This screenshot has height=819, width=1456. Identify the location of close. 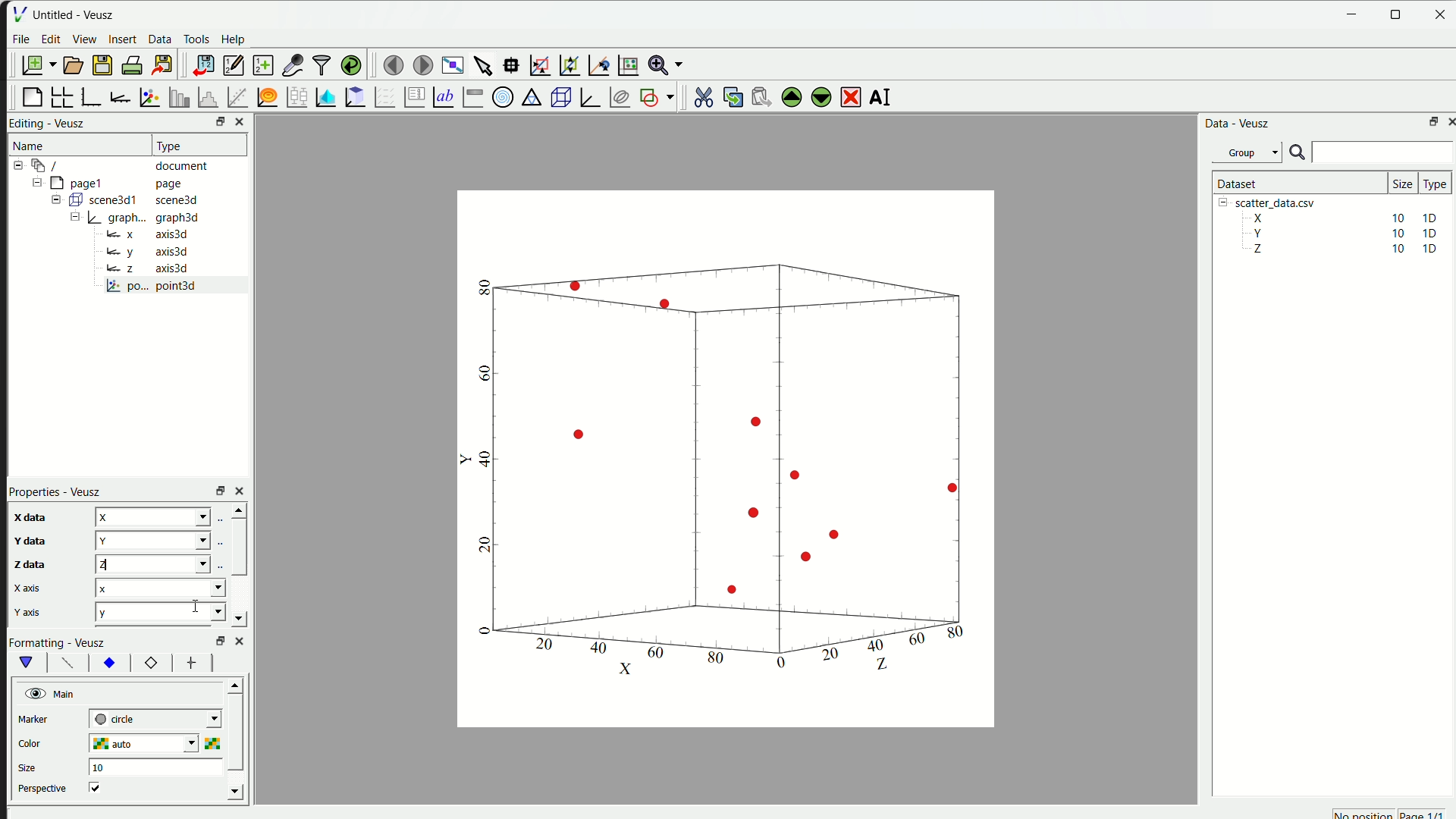
(1437, 14).